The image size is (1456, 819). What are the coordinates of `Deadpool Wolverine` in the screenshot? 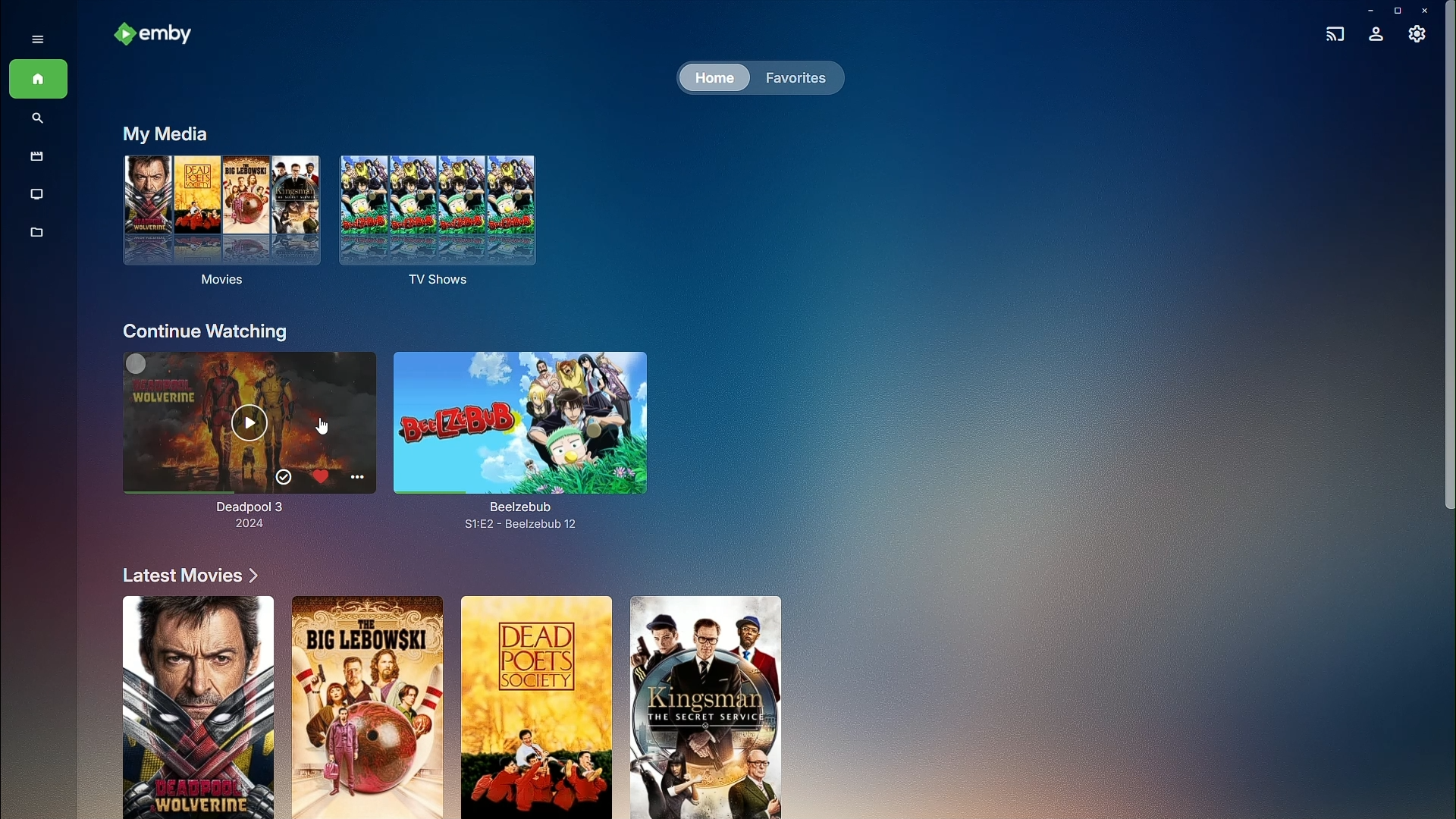 It's located at (196, 706).